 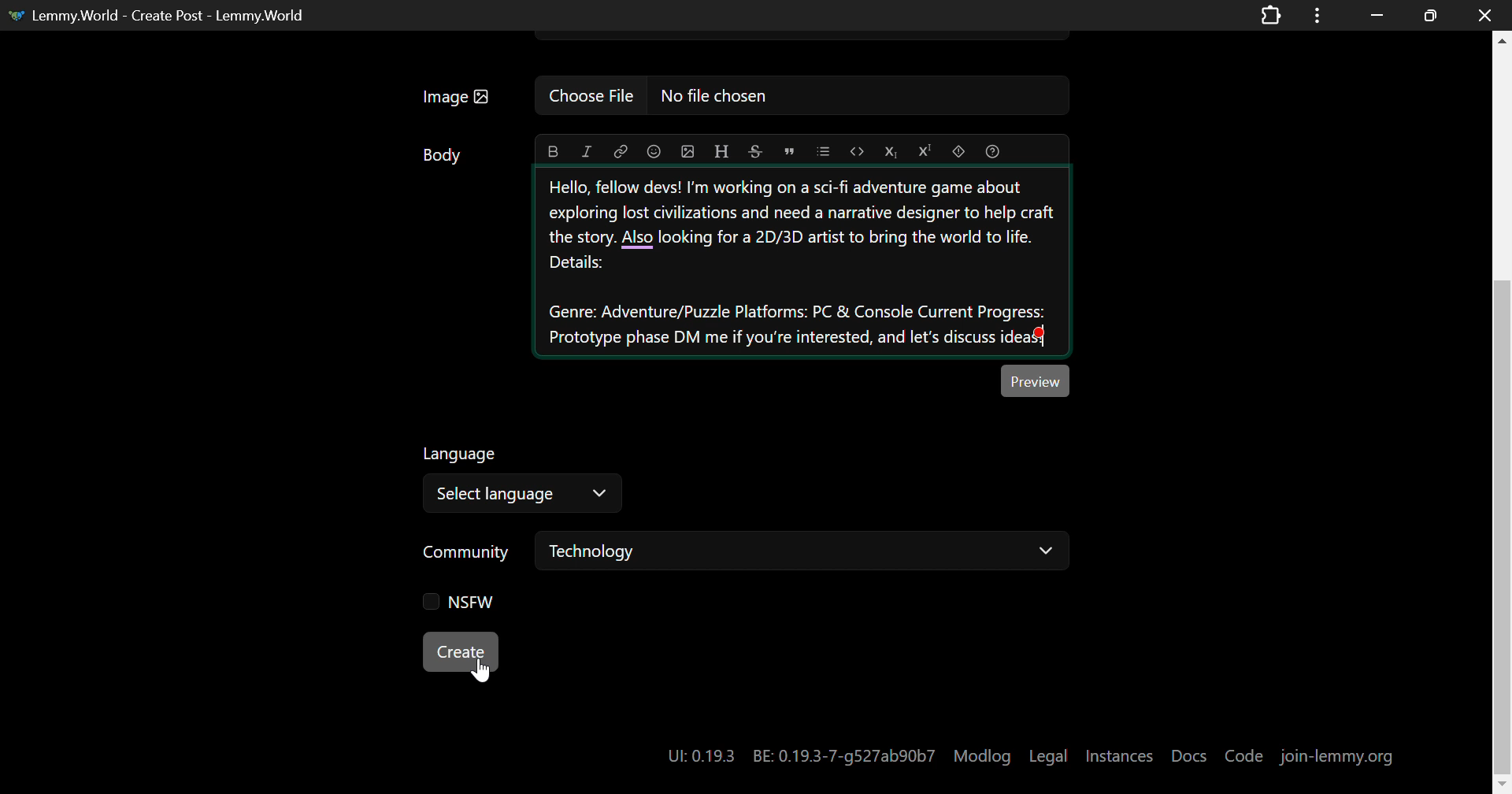 I want to click on Instances, so click(x=1121, y=753).